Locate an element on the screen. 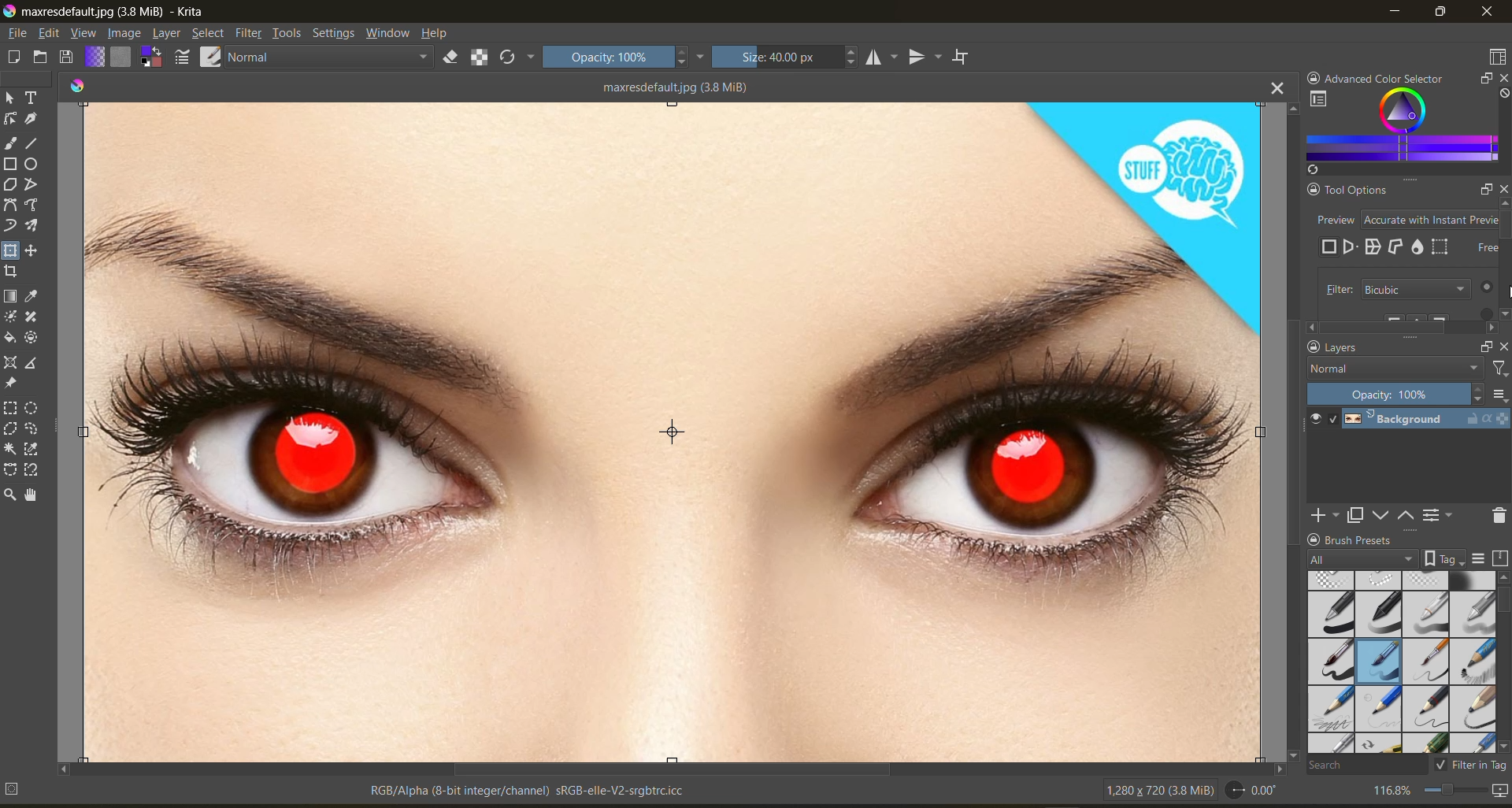 This screenshot has width=1512, height=808. options is located at coordinates (1499, 395).